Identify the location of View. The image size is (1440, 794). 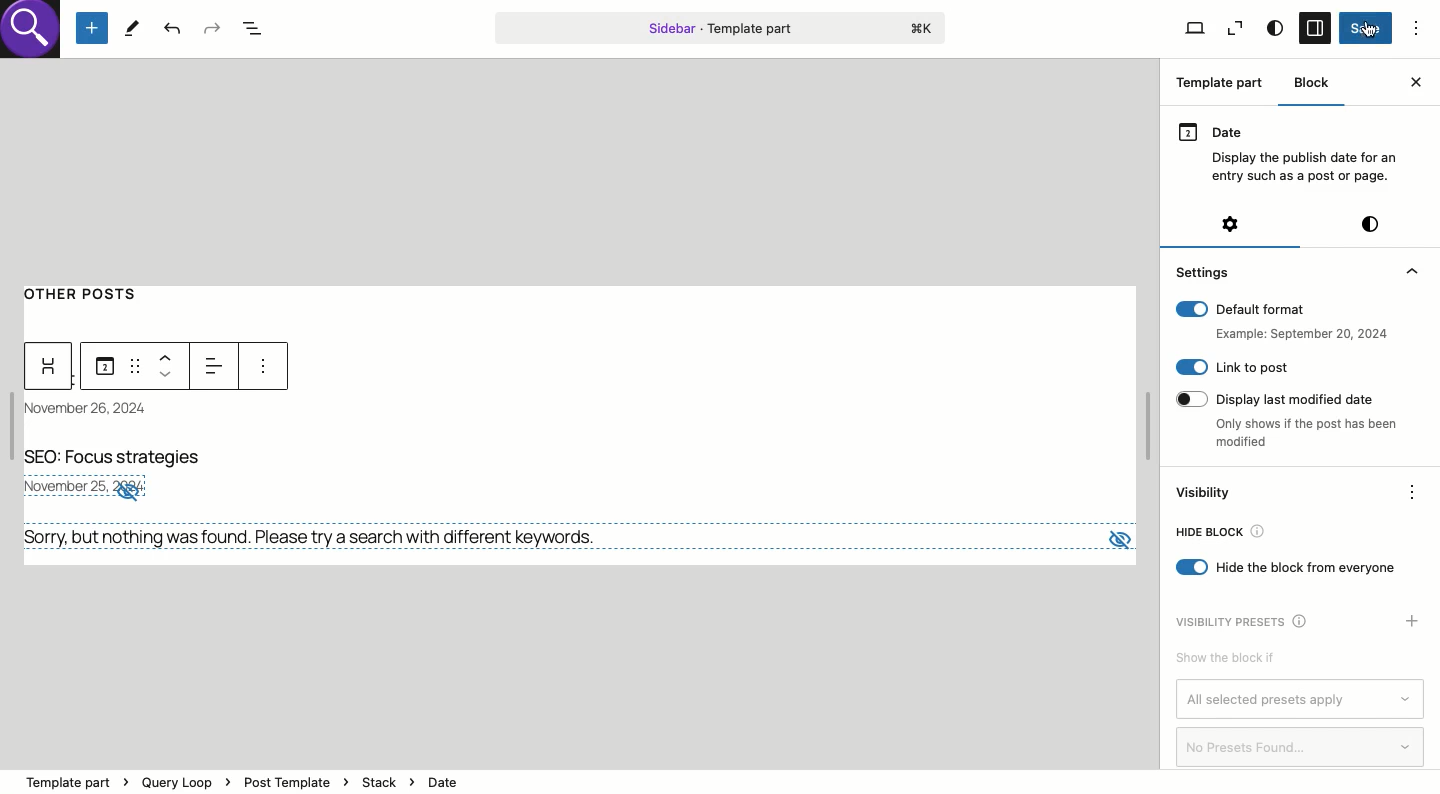
(1235, 29).